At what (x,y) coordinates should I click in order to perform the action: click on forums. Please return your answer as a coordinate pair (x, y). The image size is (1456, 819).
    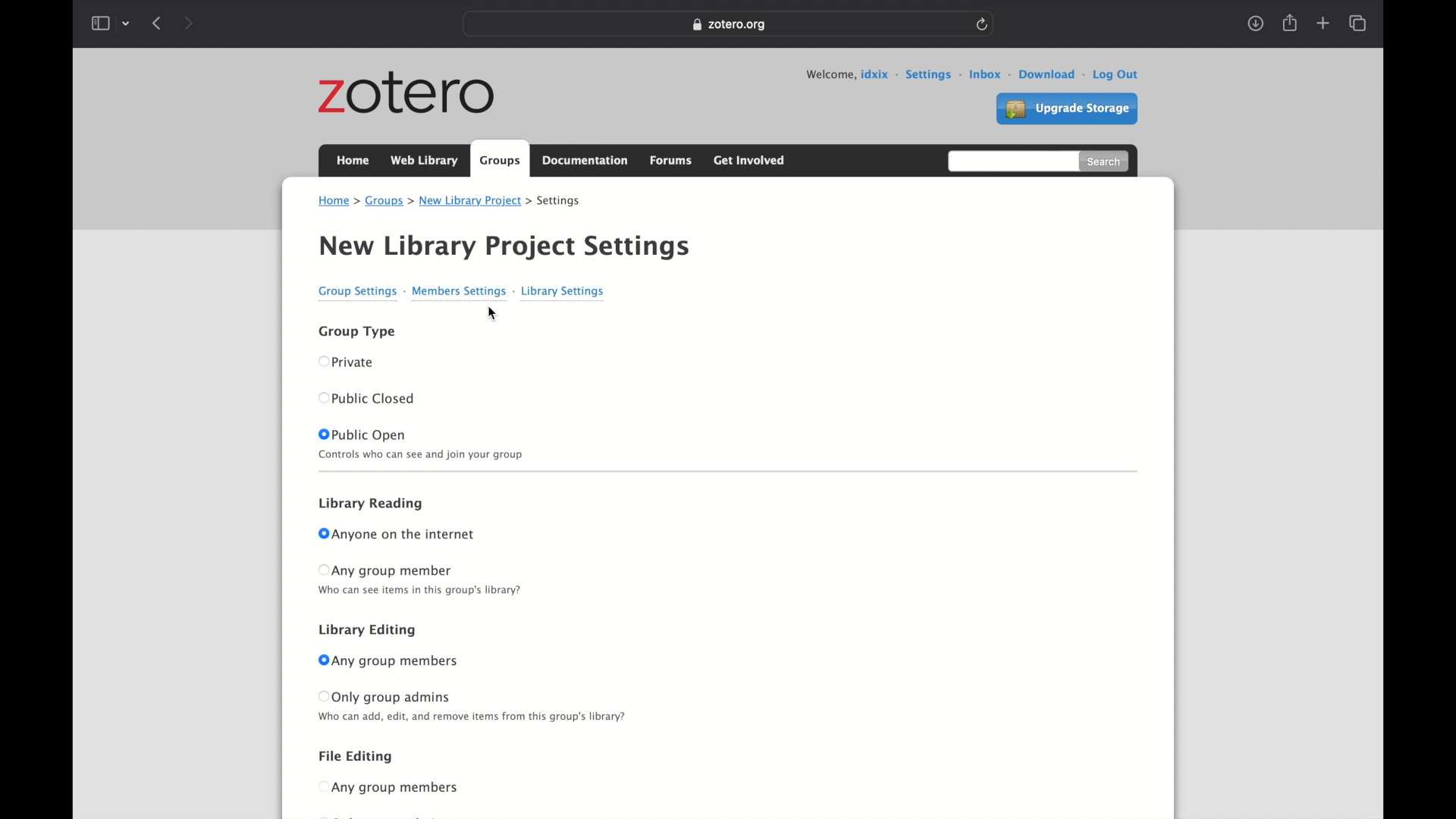
    Looking at the image, I should click on (673, 160).